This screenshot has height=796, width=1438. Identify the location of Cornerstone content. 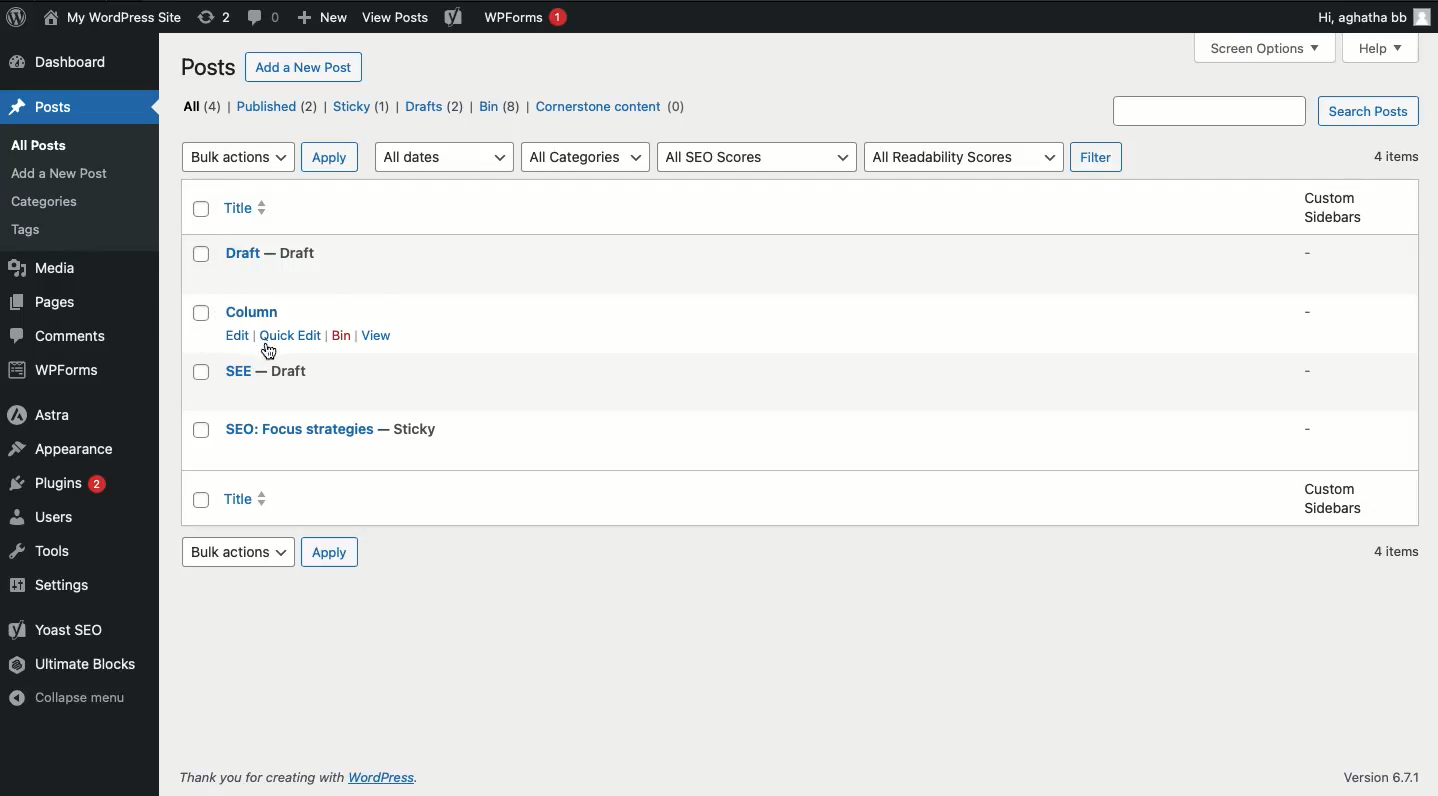
(614, 109).